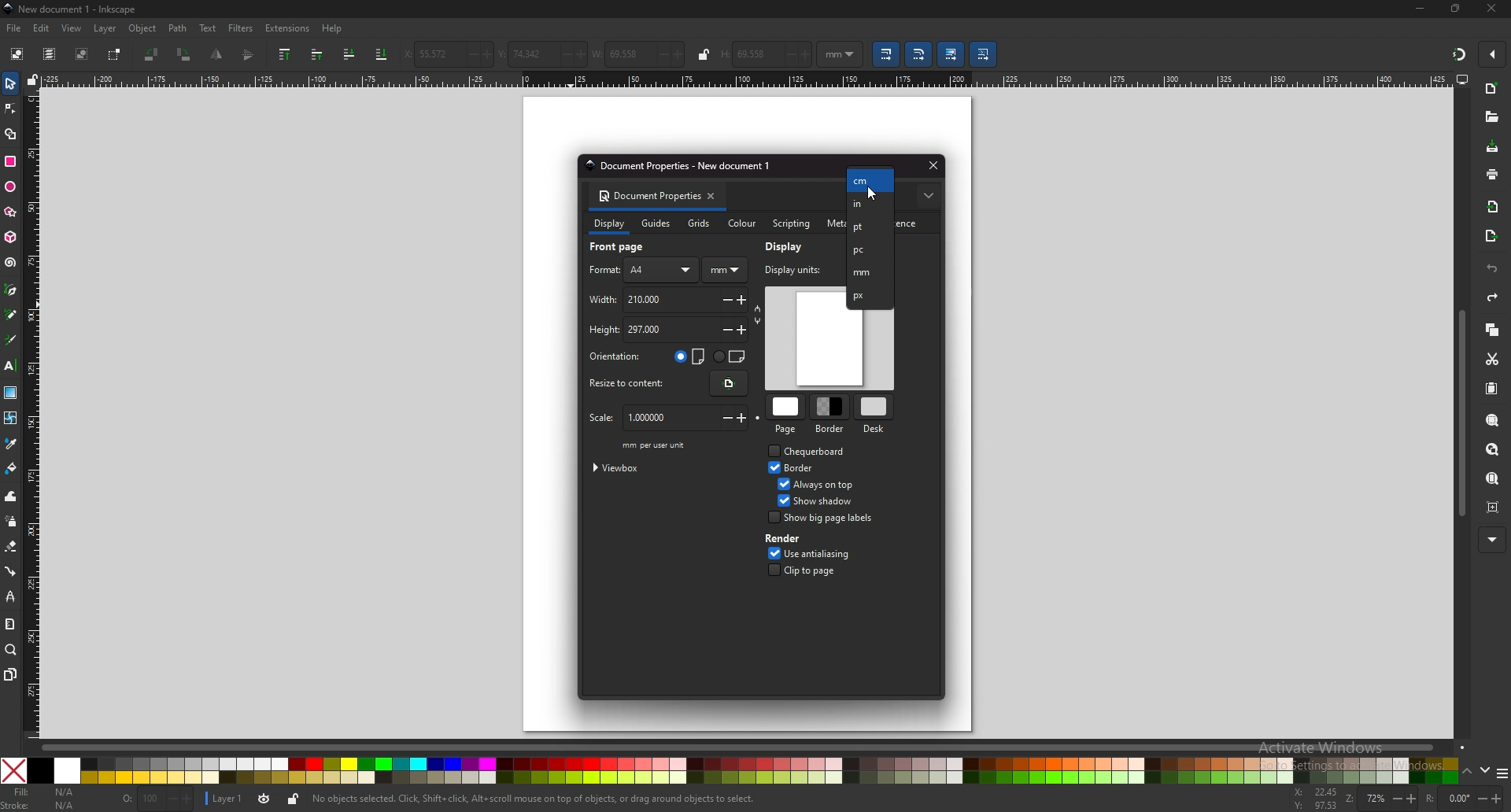 The height and width of the screenshot is (812, 1511). What do you see at coordinates (745, 418) in the screenshot?
I see `+` at bounding box center [745, 418].